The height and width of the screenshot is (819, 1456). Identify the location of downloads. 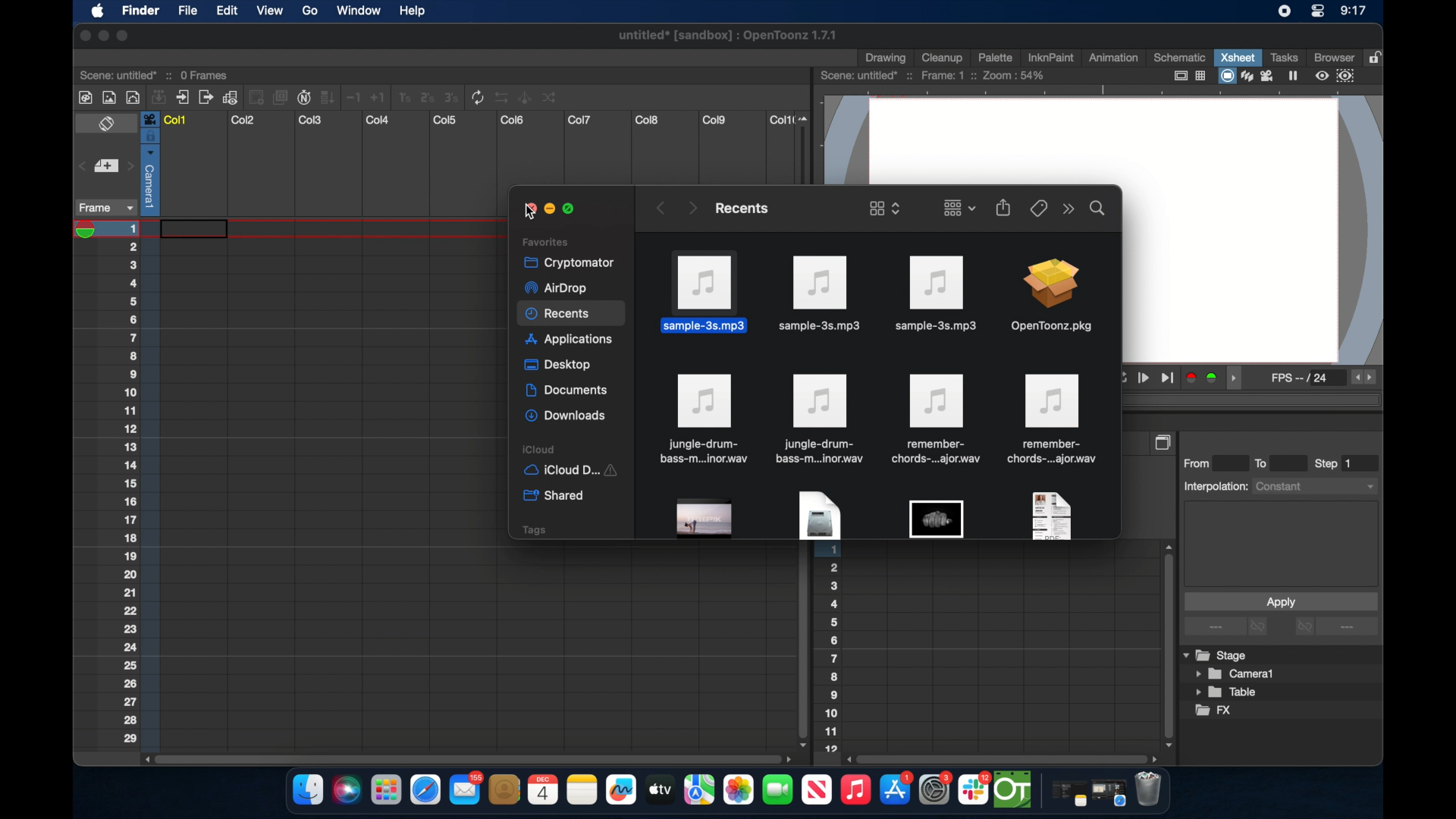
(567, 416).